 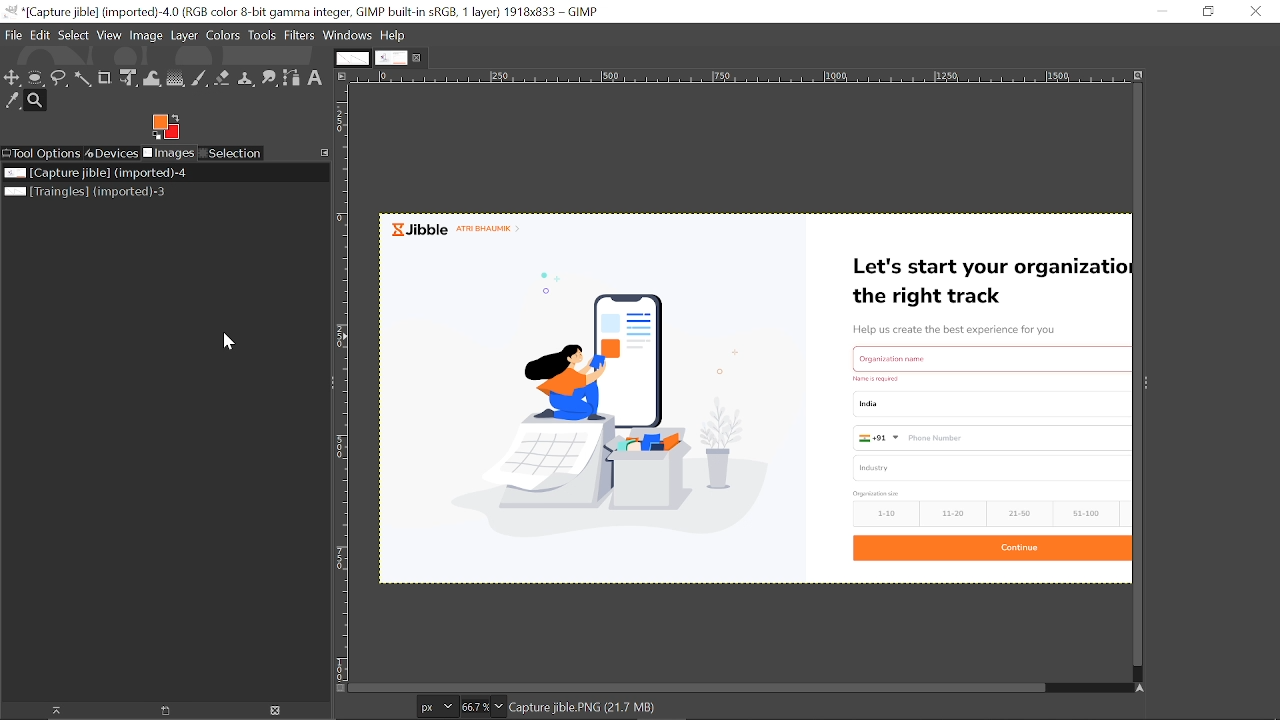 What do you see at coordinates (14, 36) in the screenshot?
I see `File` at bounding box center [14, 36].